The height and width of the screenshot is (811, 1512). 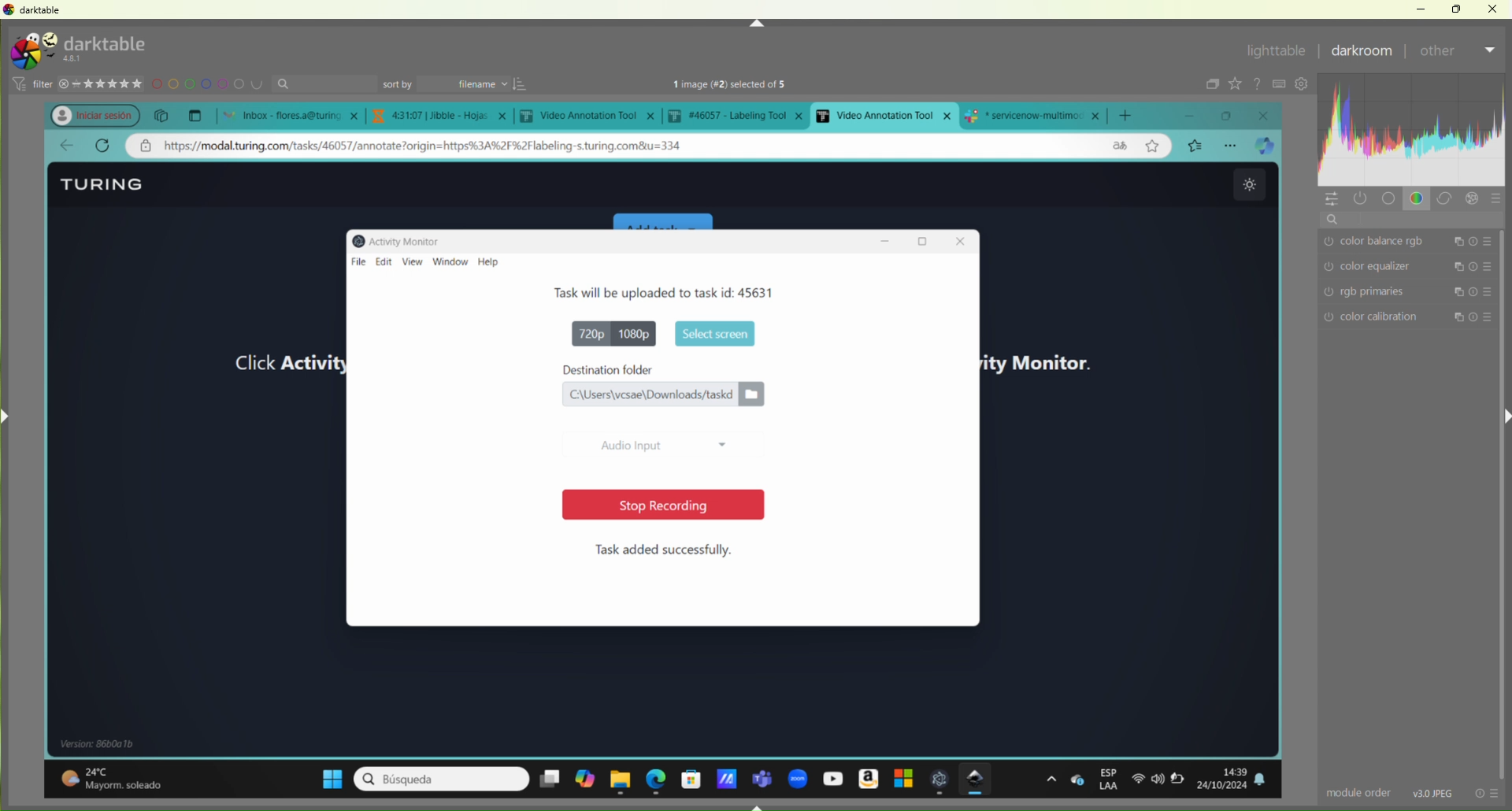 I want to click on options, so click(x=1232, y=145).